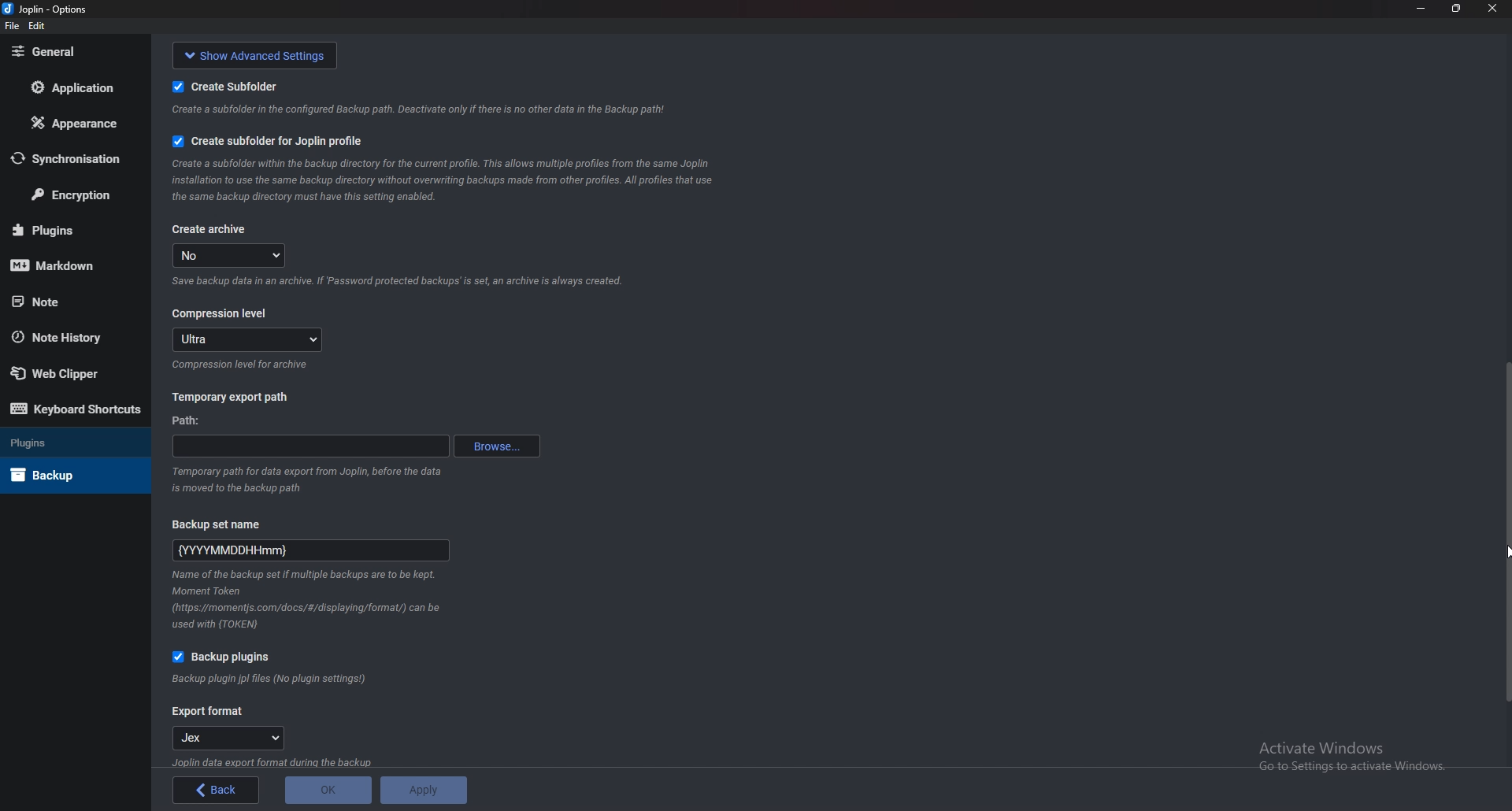  Describe the element at coordinates (309, 551) in the screenshot. I see `Backup set name` at that location.